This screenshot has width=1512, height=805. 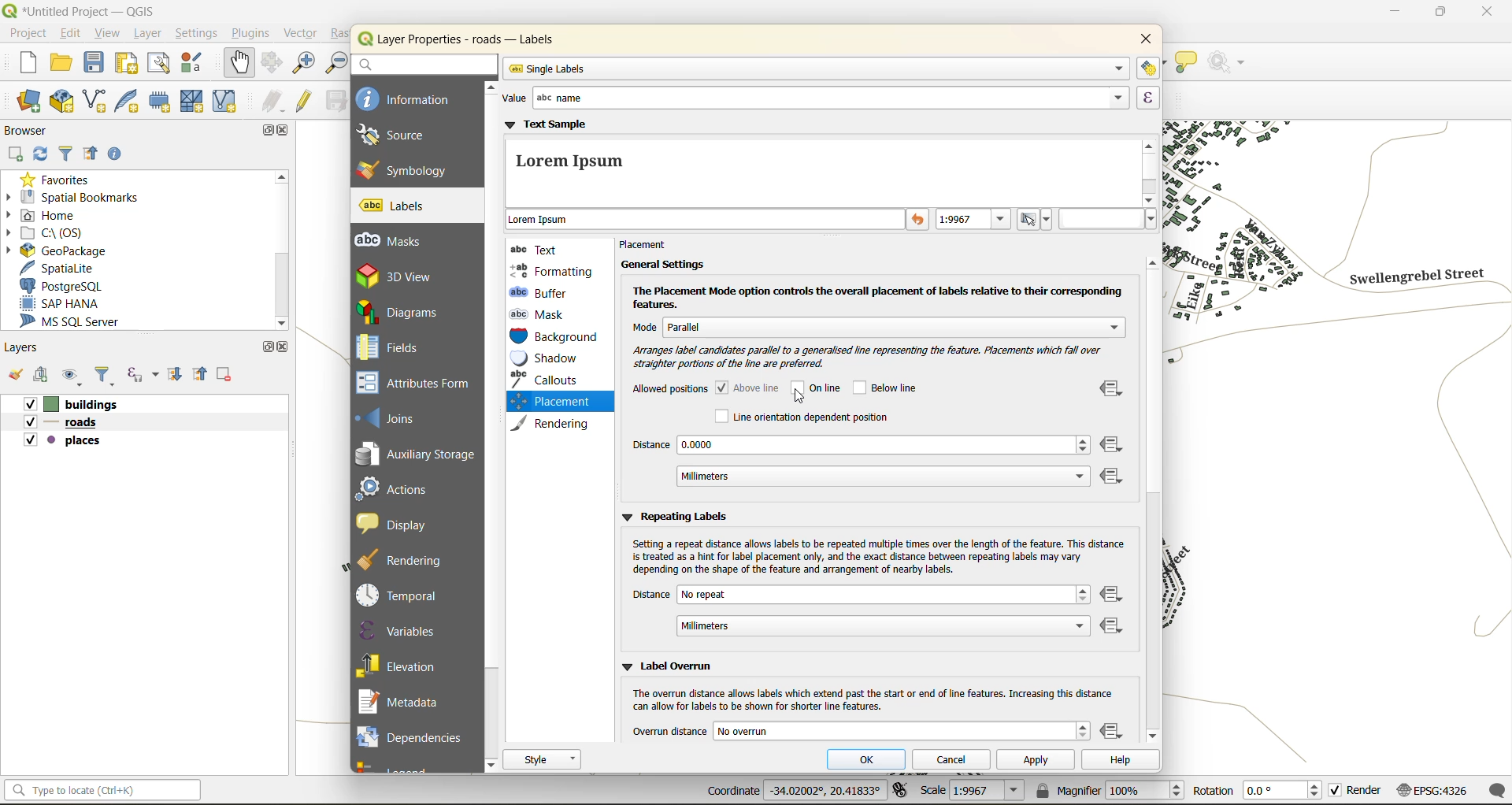 What do you see at coordinates (286, 132) in the screenshot?
I see `close` at bounding box center [286, 132].